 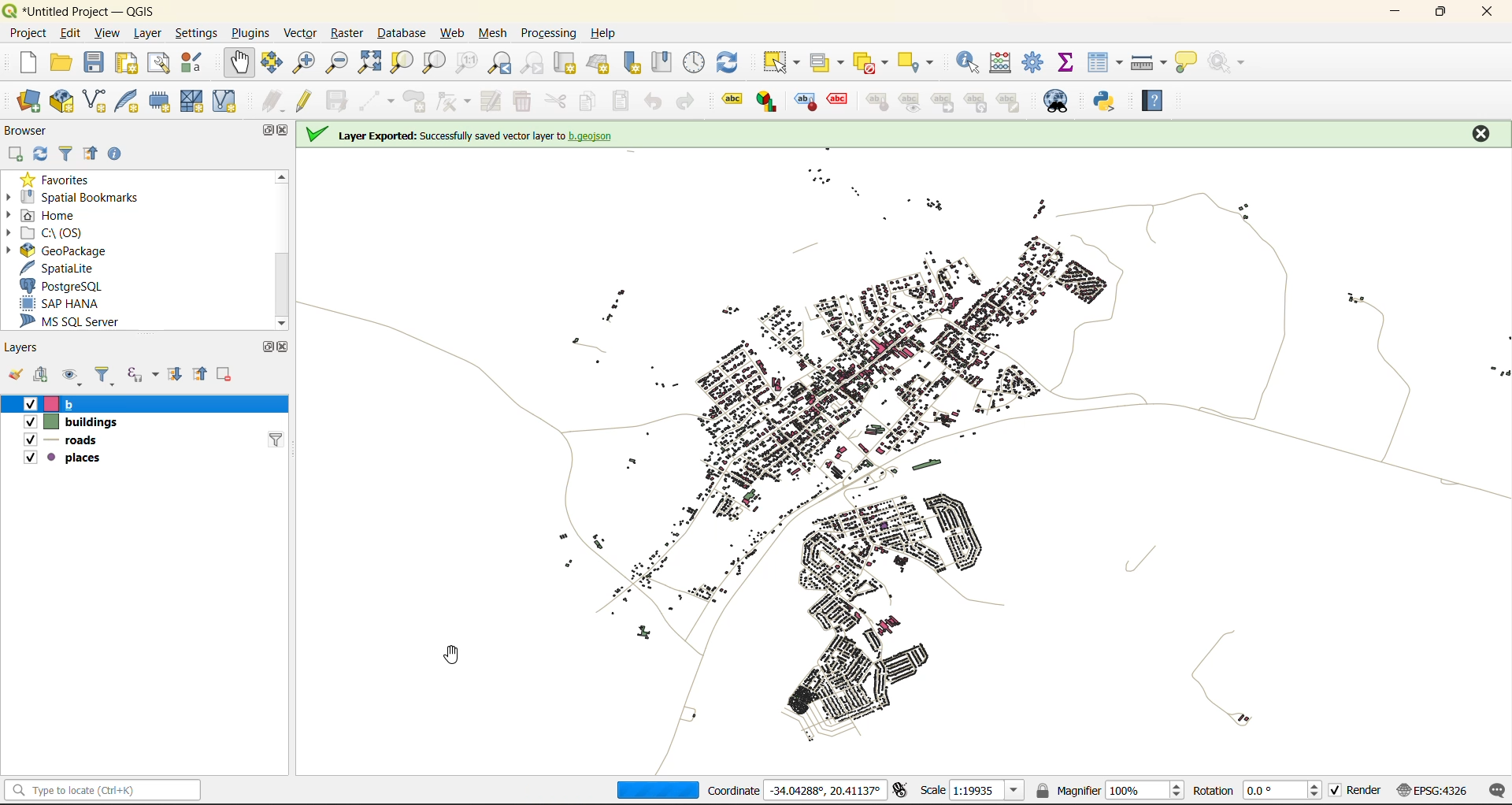 What do you see at coordinates (106, 791) in the screenshot?
I see `status  bar` at bounding box center [106, 791].